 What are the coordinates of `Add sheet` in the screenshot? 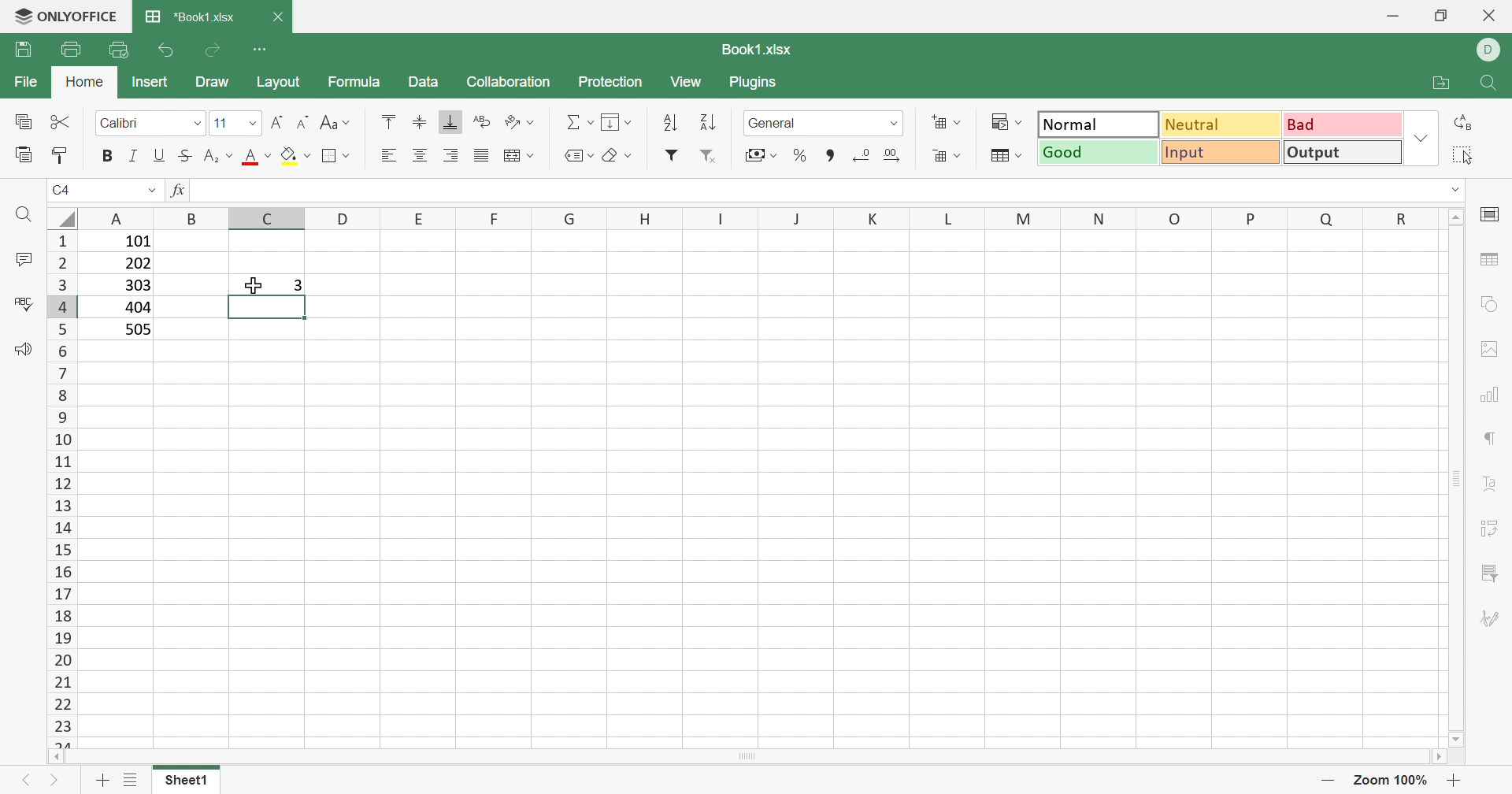 It's located at (102, 781).